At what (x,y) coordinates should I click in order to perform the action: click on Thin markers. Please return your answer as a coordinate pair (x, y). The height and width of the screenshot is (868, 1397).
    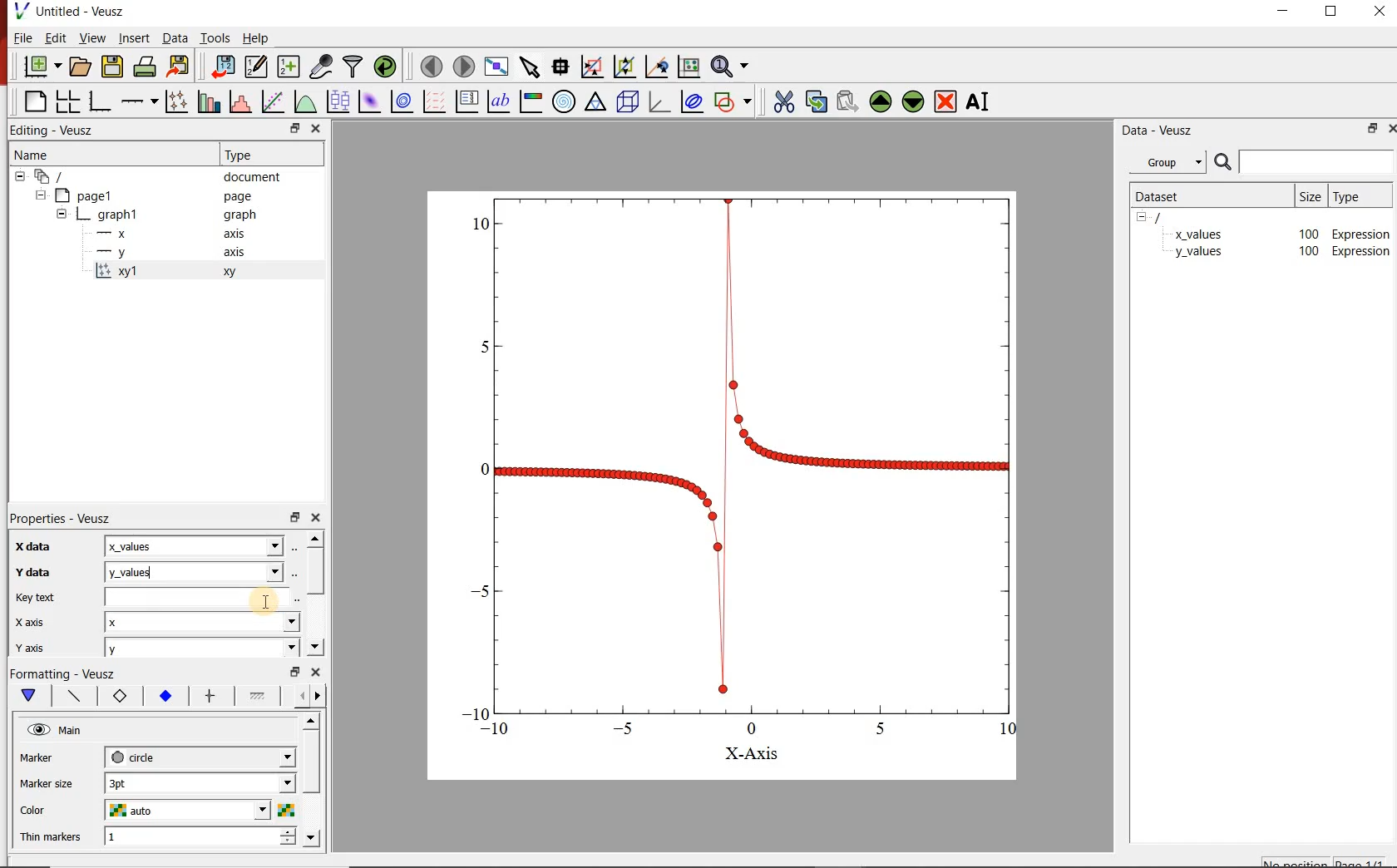
    Looking at the image, I should click on (51, 837).